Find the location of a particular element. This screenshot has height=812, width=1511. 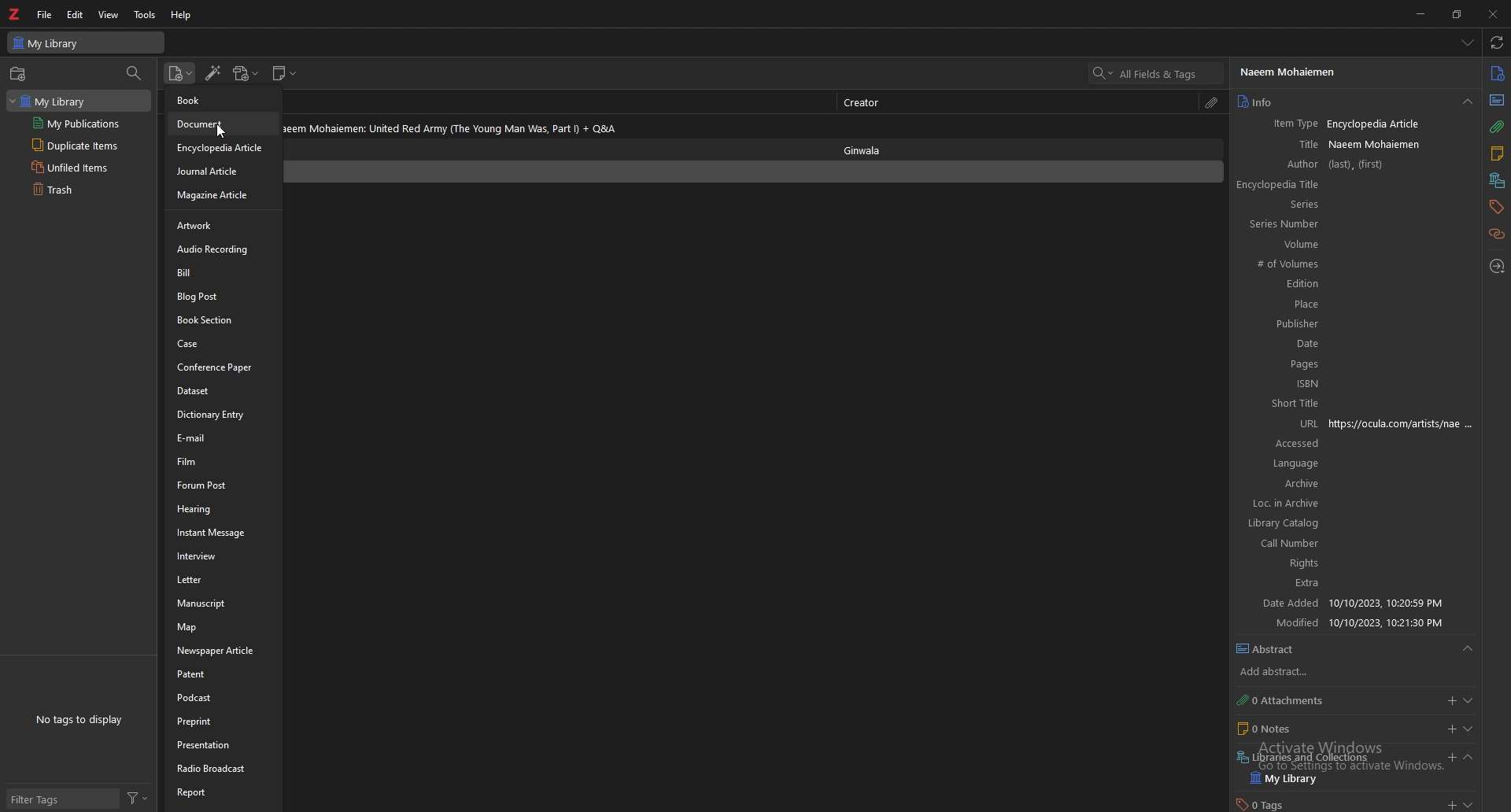

film is located at coordinates (224, 461).